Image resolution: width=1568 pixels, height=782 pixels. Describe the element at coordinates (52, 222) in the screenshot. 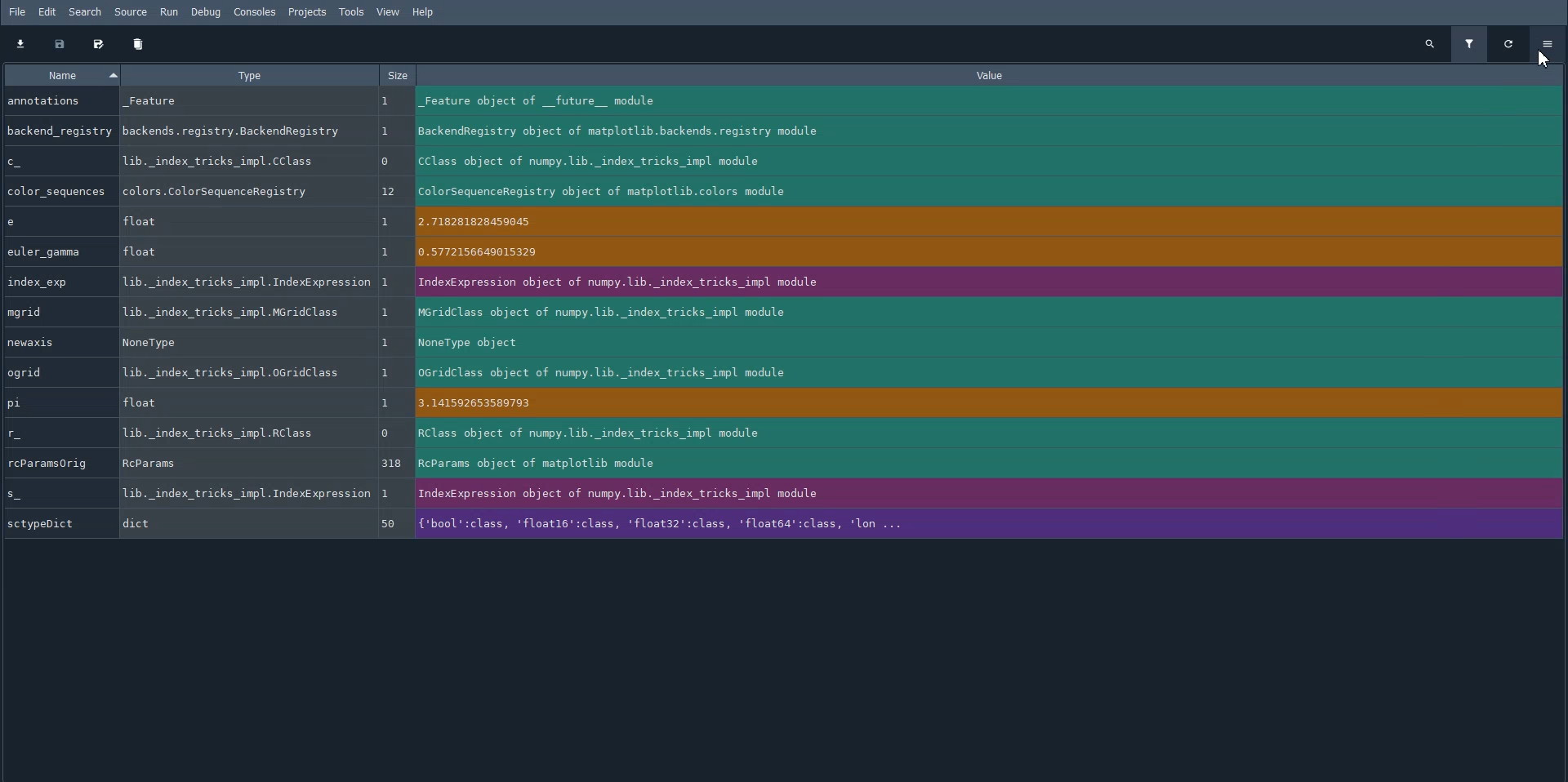

I see `e` at that location.